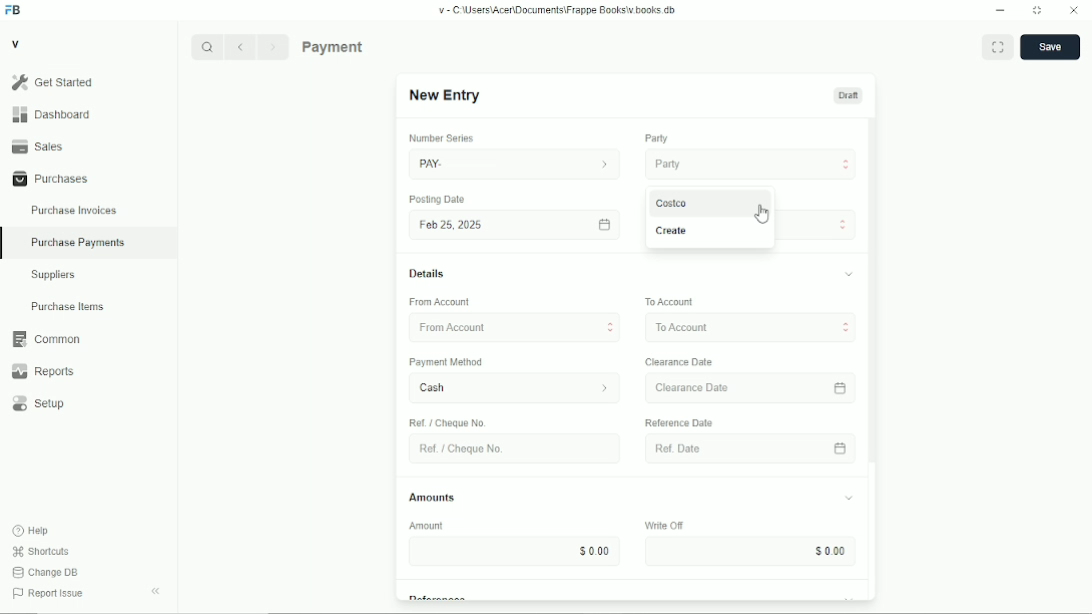 This screenshot has height=614, width=1092. What do you see at coordinates (437, 139) in the screenshot?
I see `number series` at bounding box center [437, 139].